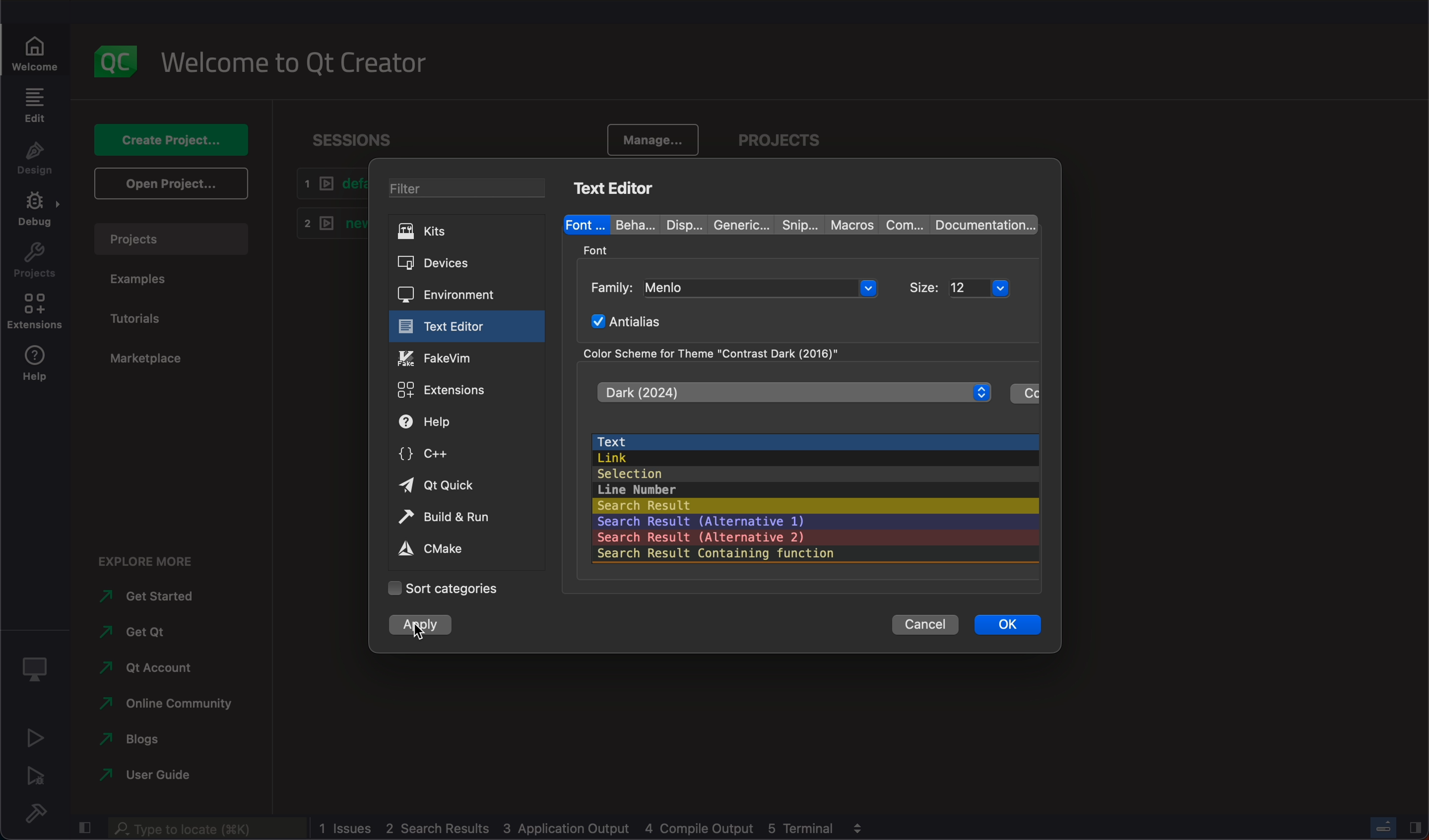 This screenshot has height=840, width=1429. I want to click on log, so click(581, 827).